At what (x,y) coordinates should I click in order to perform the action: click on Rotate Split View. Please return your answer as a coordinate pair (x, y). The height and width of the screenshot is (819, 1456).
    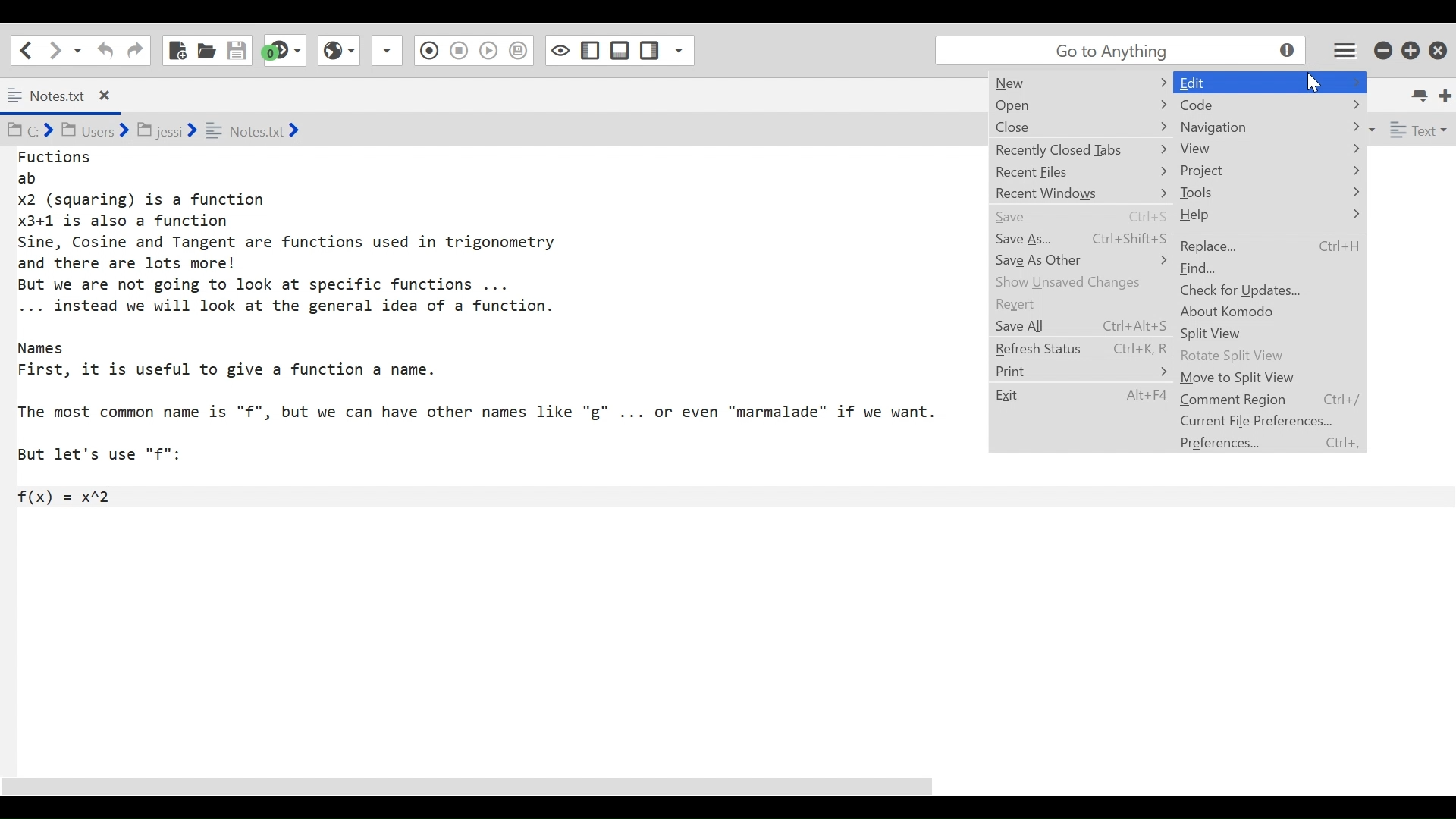
    Looking at the image, I should click on (1248, 356).